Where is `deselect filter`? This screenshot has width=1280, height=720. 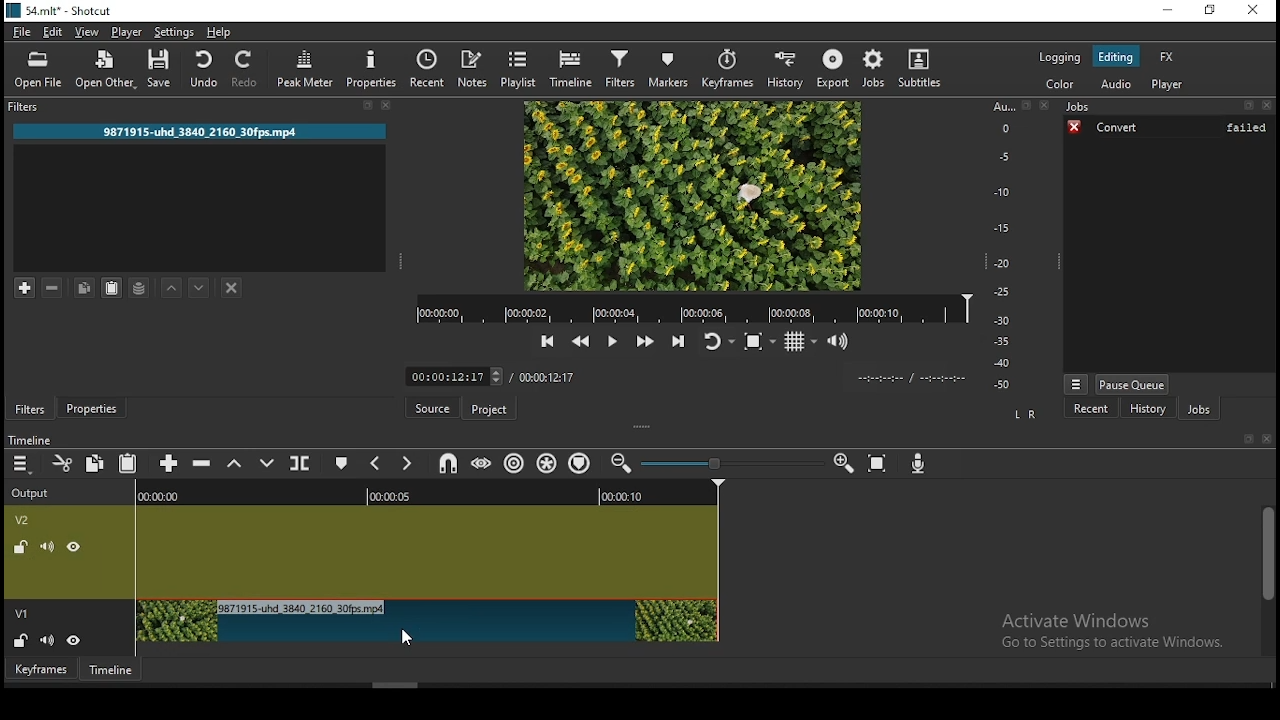
deselect filter is located at coordinates (231, 288).